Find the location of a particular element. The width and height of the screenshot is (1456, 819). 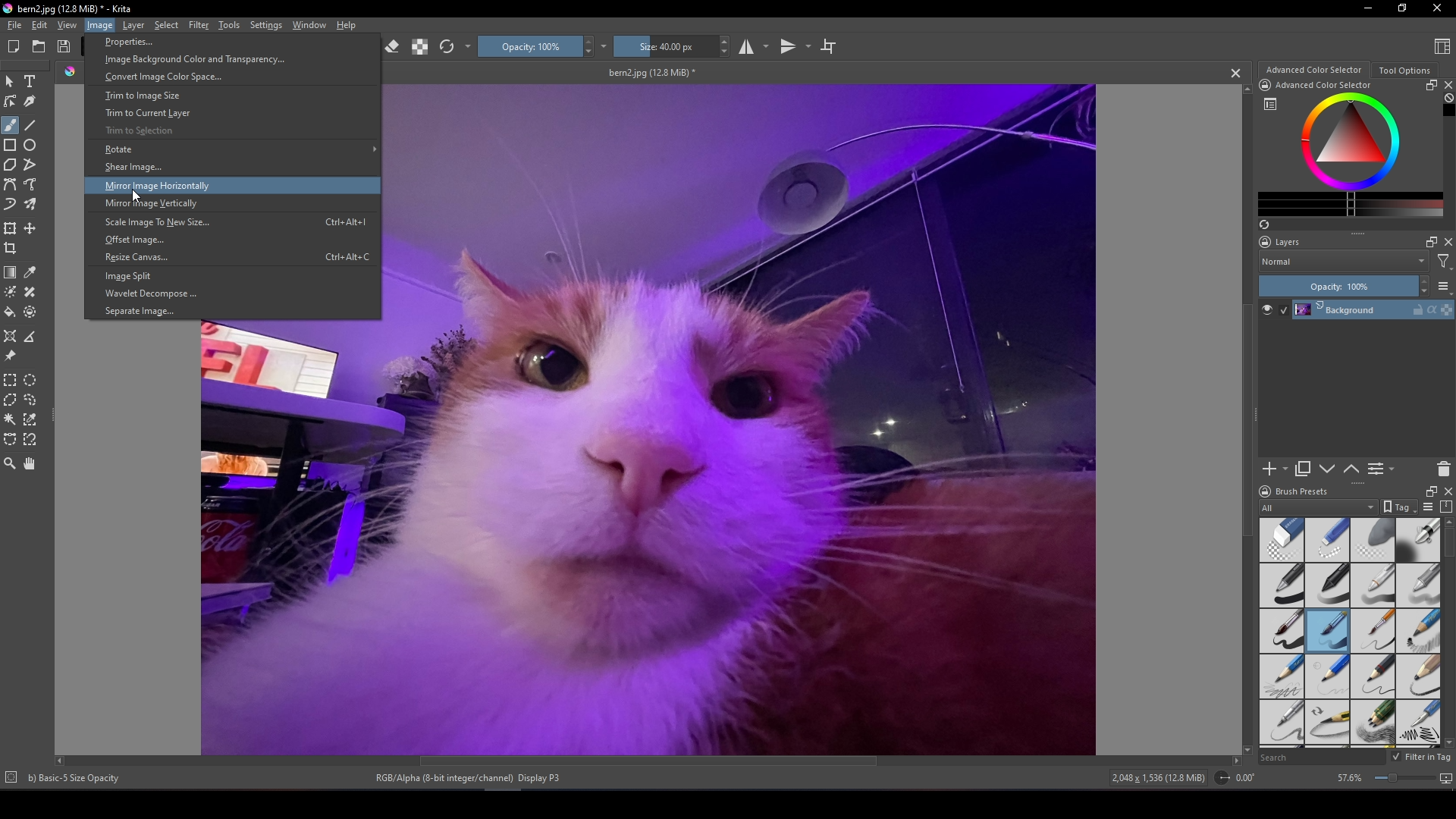

Docket close is located at coordinates (1447, 242).